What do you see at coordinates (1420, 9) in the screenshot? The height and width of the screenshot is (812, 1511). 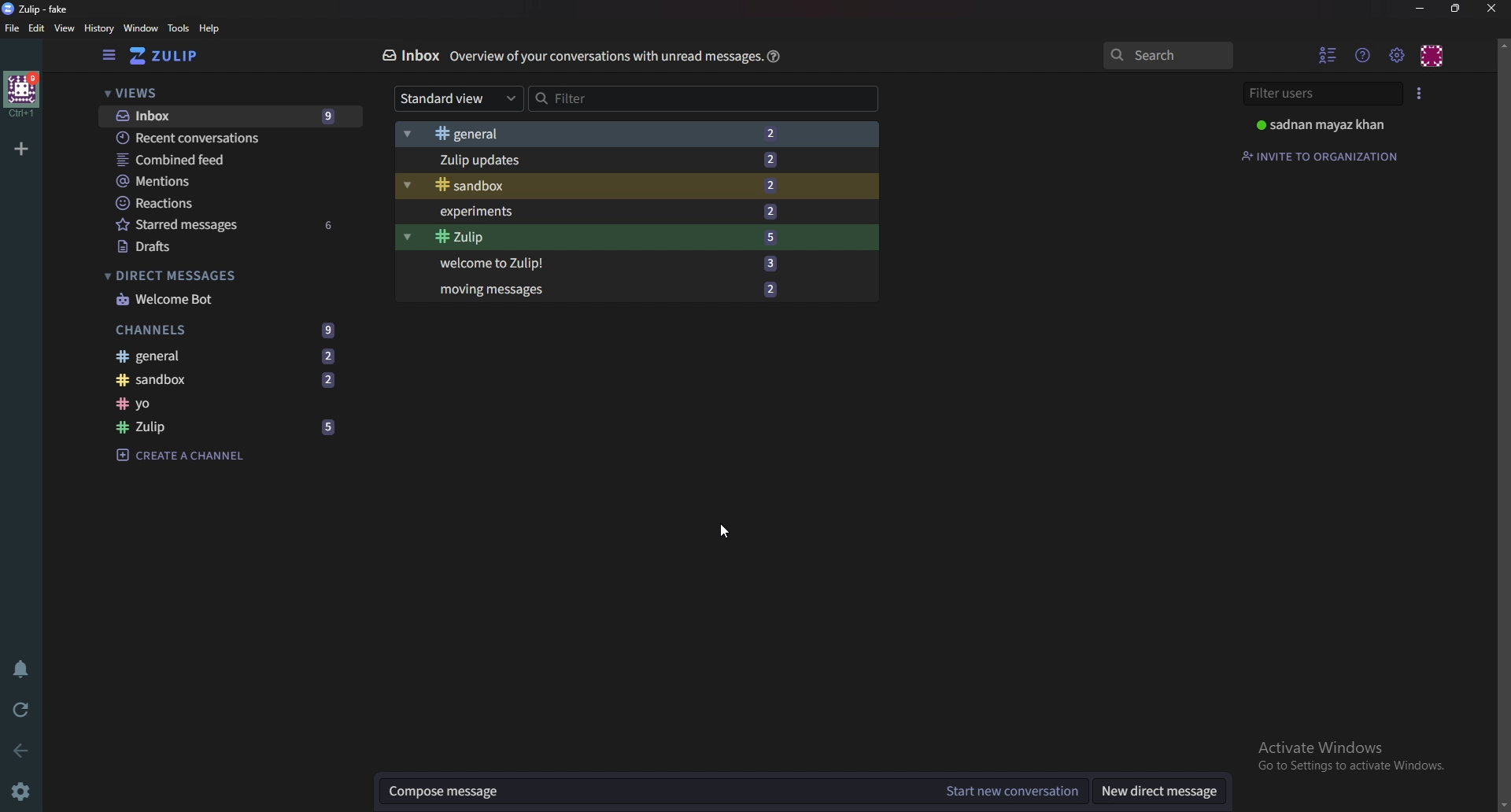 I see `Minimize` at bounding box center [1420, 9].